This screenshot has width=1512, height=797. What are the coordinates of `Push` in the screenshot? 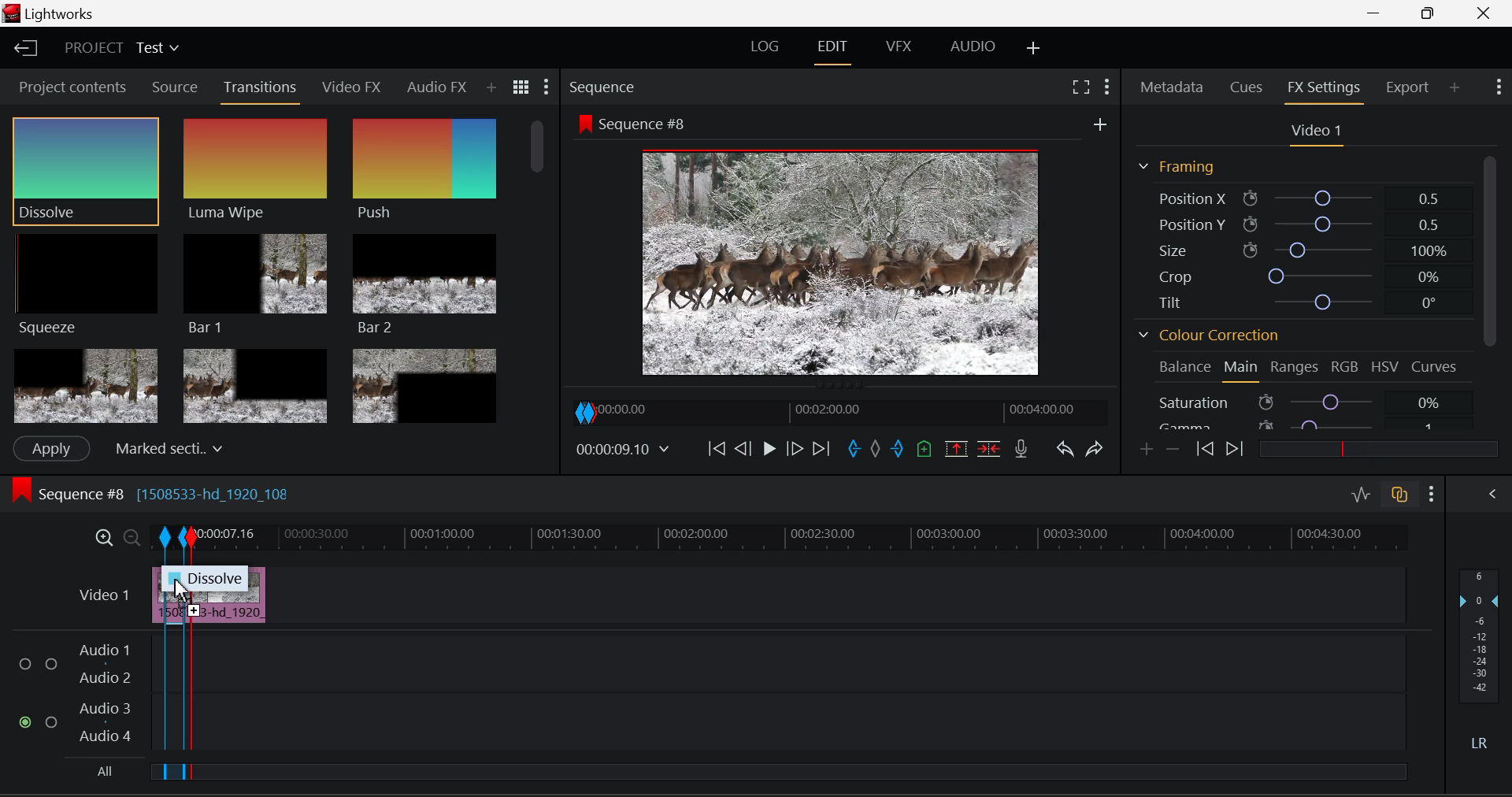 It's located at (424, 172).